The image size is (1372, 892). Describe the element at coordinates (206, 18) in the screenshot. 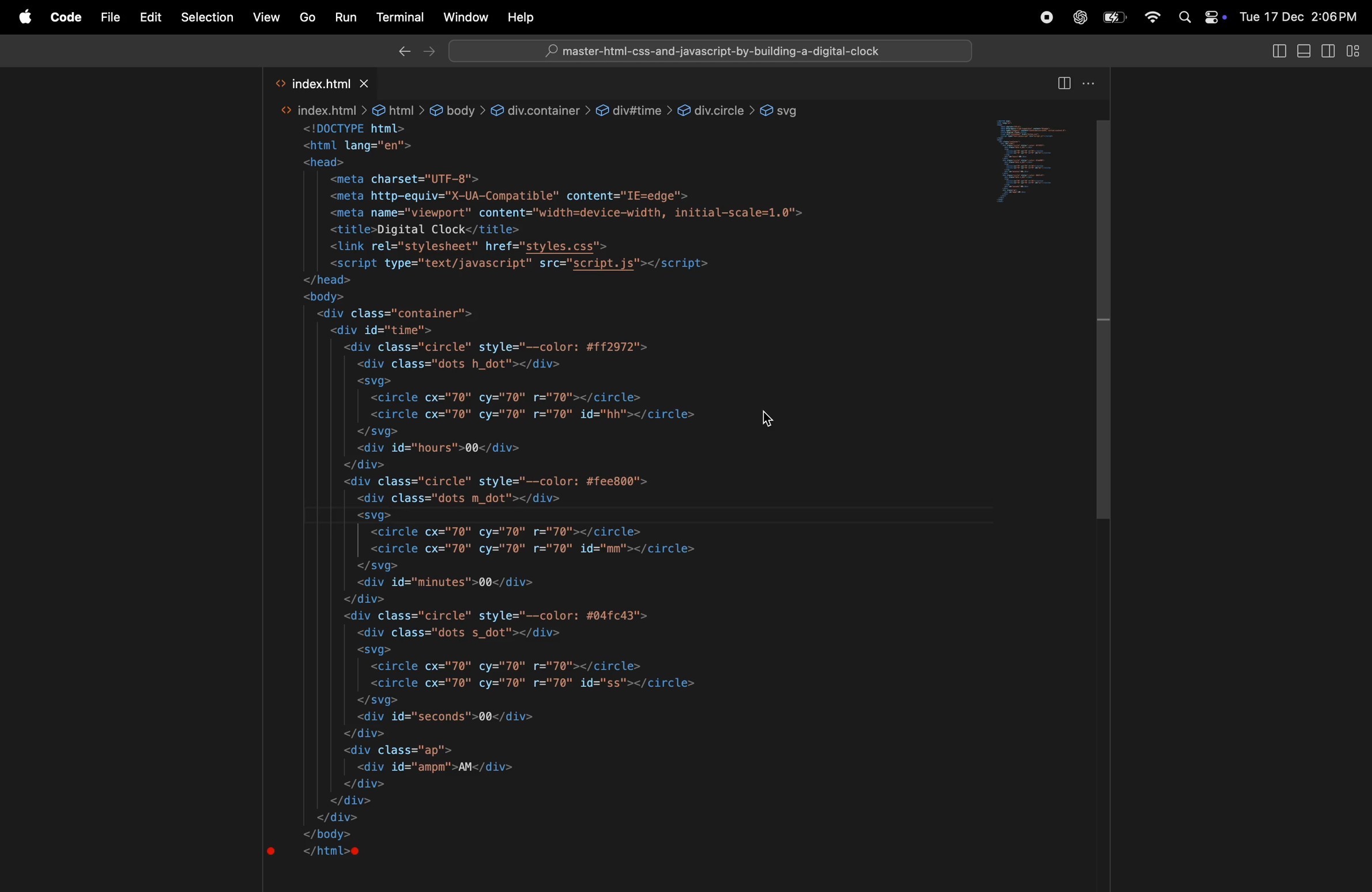

I see `selection` at that location.